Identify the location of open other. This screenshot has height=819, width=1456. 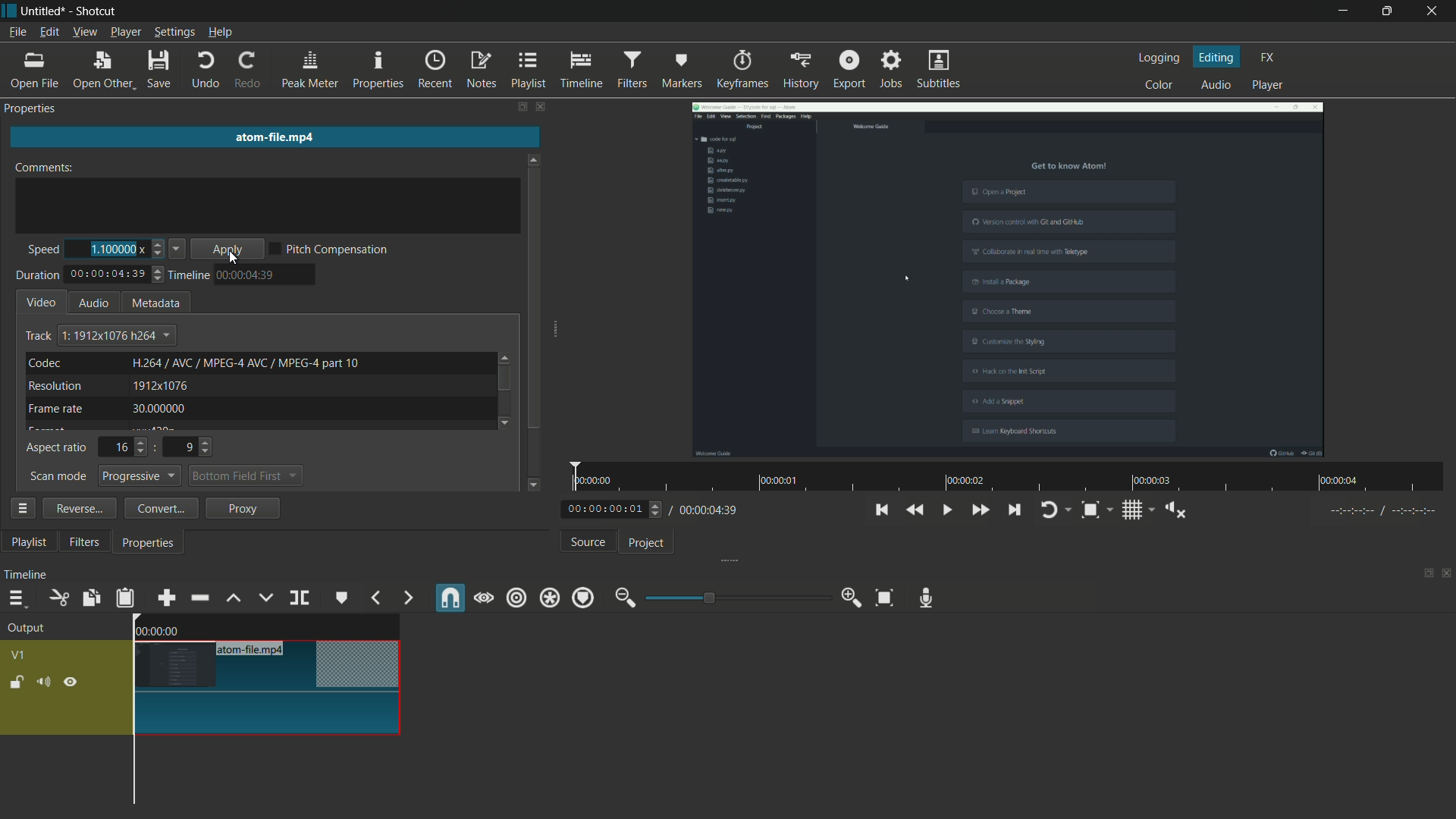
(101, 71).